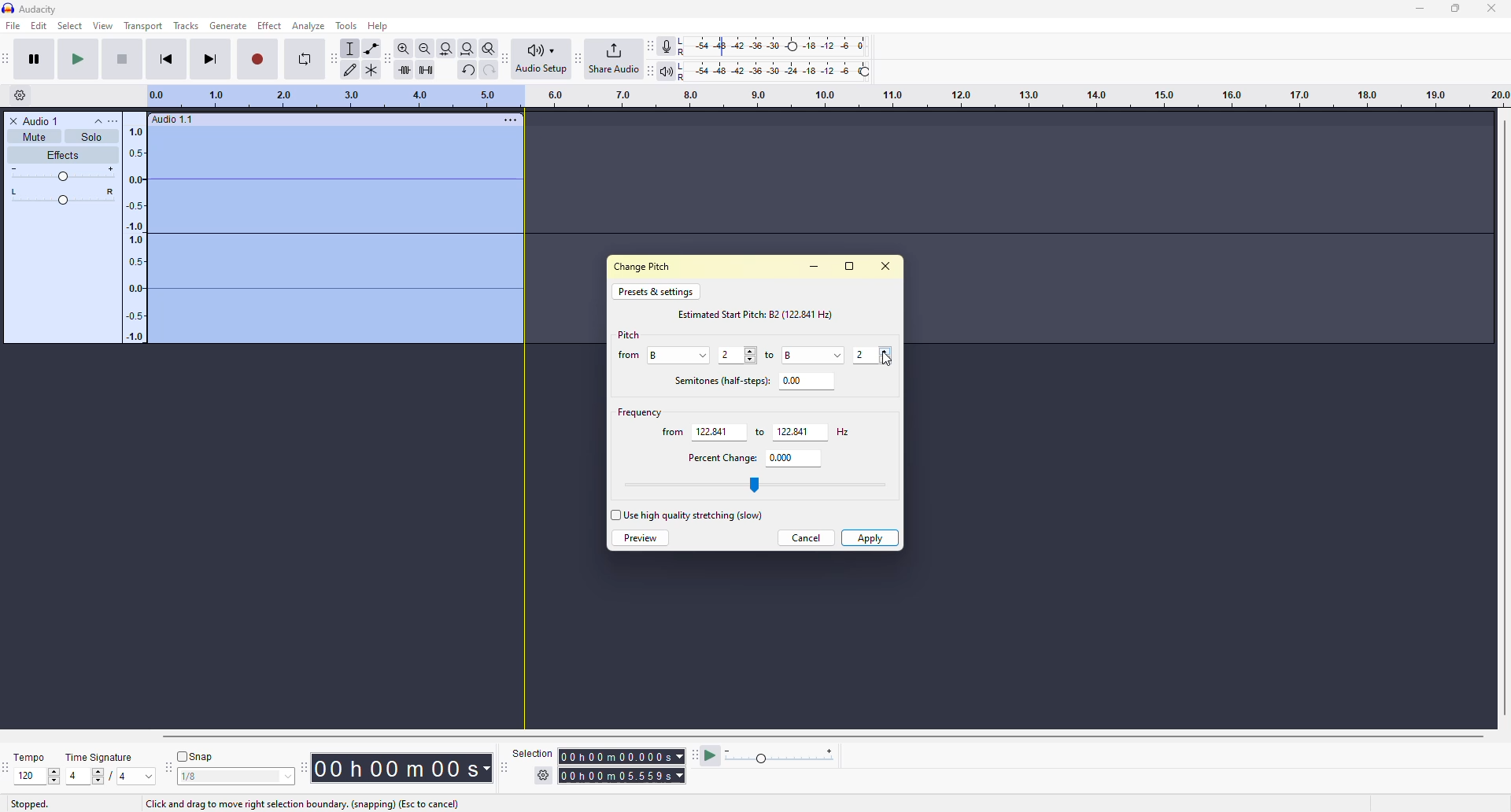 This screenshot has height=812, width=1511. I want to click on scroll bar, so click(804, 736).